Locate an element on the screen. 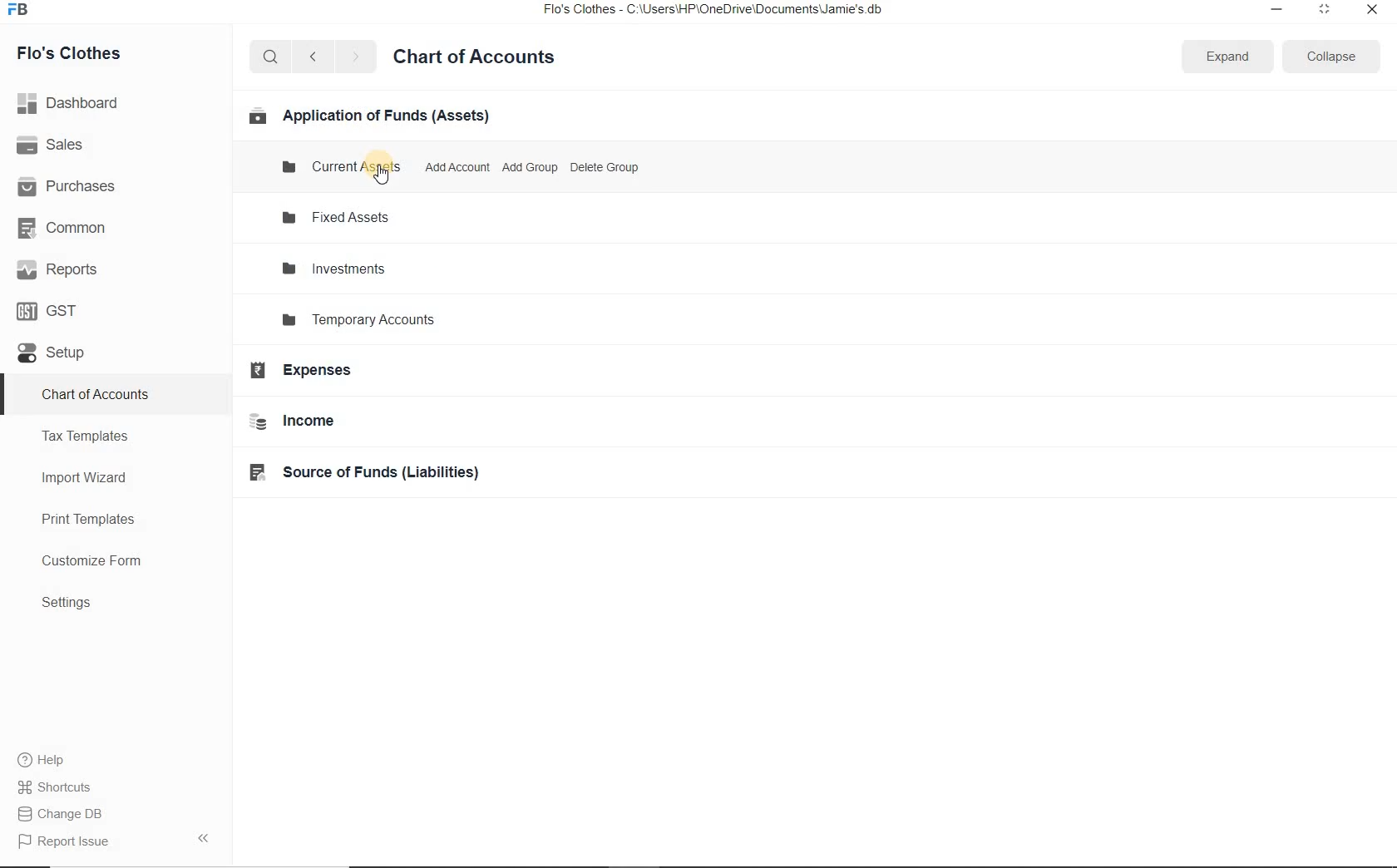 The height and width of the screenshot is (868, 1397). minimize is located at coordinates (1275, 8).